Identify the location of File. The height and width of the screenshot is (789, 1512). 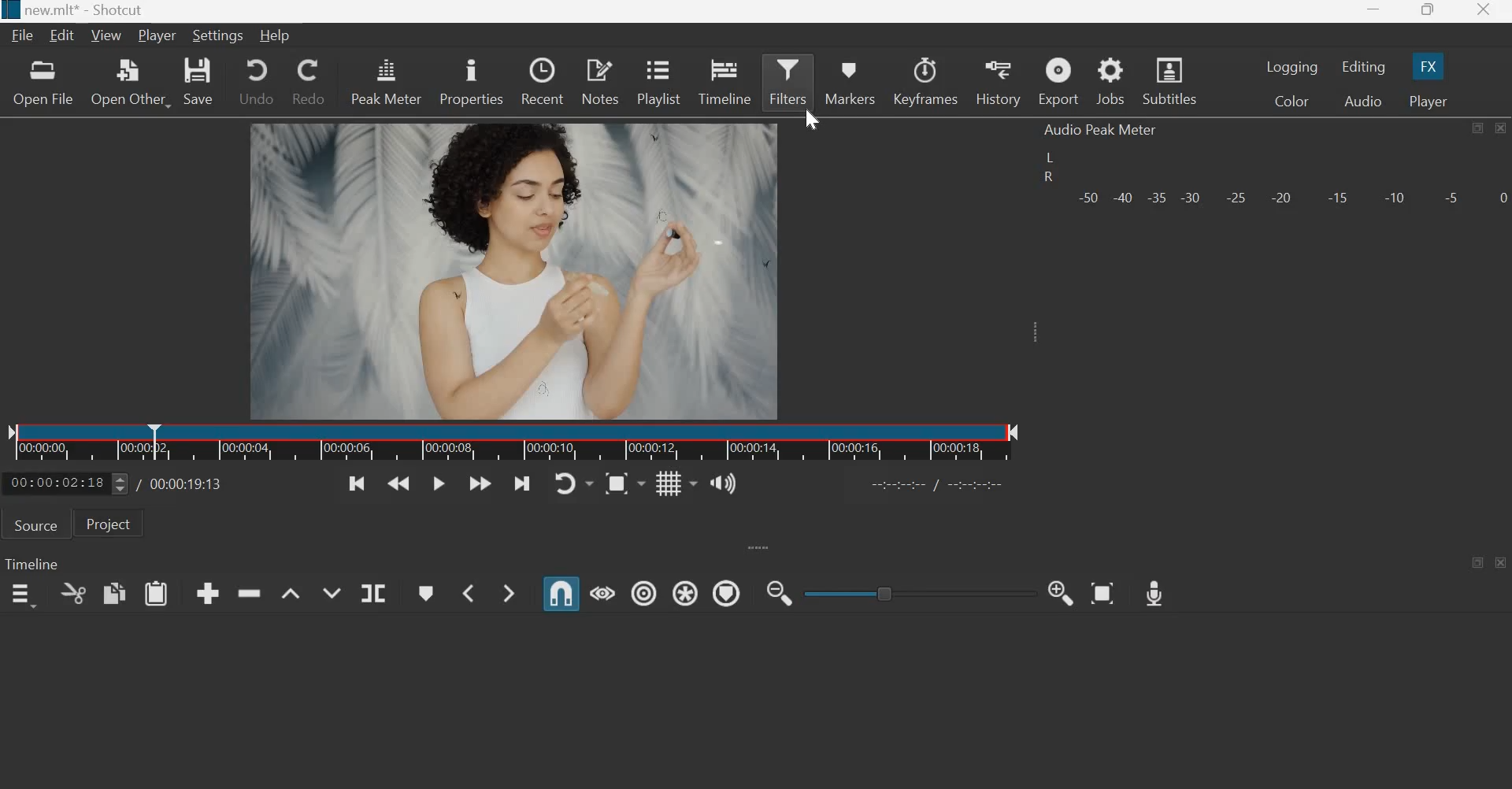
(23, 35).